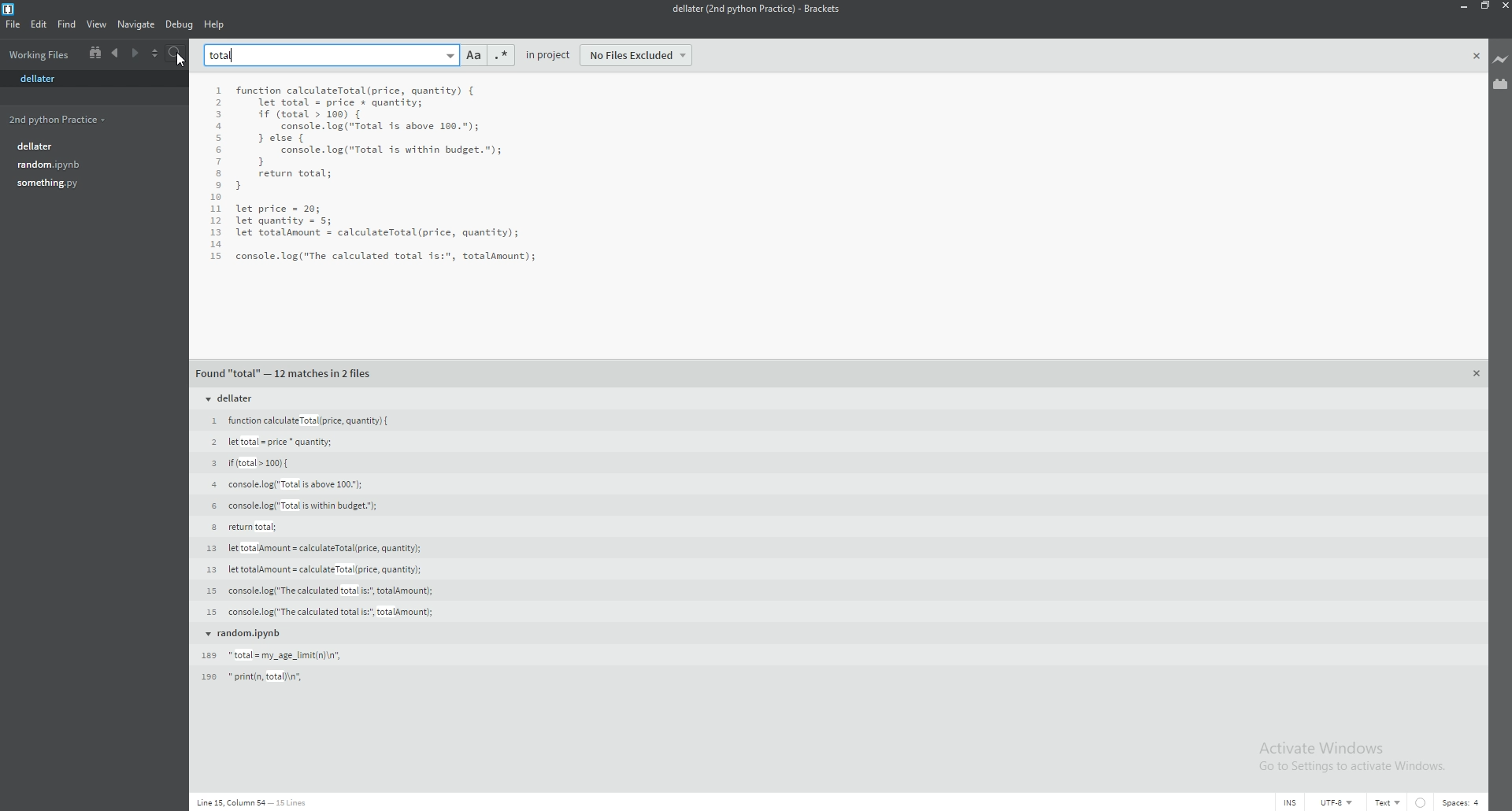 The image size is (1512, 811). What do you see at coordinates (97, 24) in the screenshot?
I see `view` at bounding box center [97, 24].